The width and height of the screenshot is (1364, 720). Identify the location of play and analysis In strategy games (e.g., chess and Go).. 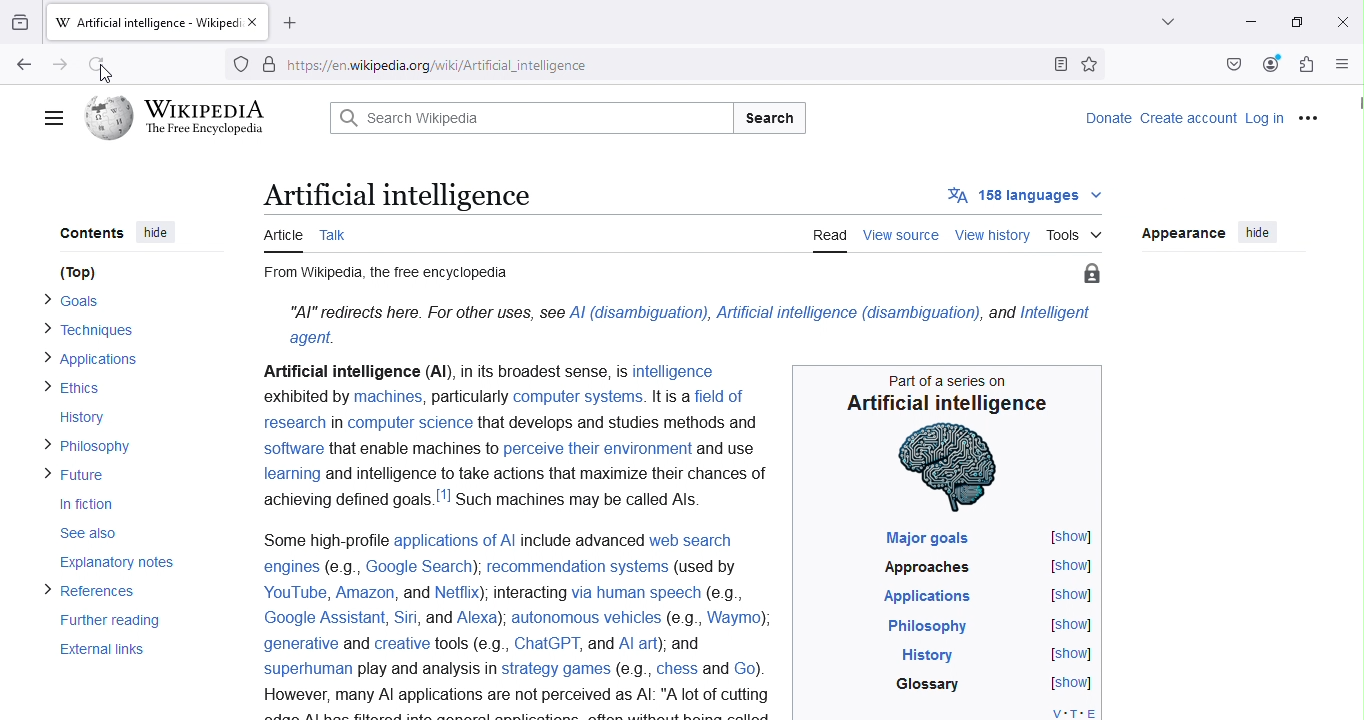
(565, 671).